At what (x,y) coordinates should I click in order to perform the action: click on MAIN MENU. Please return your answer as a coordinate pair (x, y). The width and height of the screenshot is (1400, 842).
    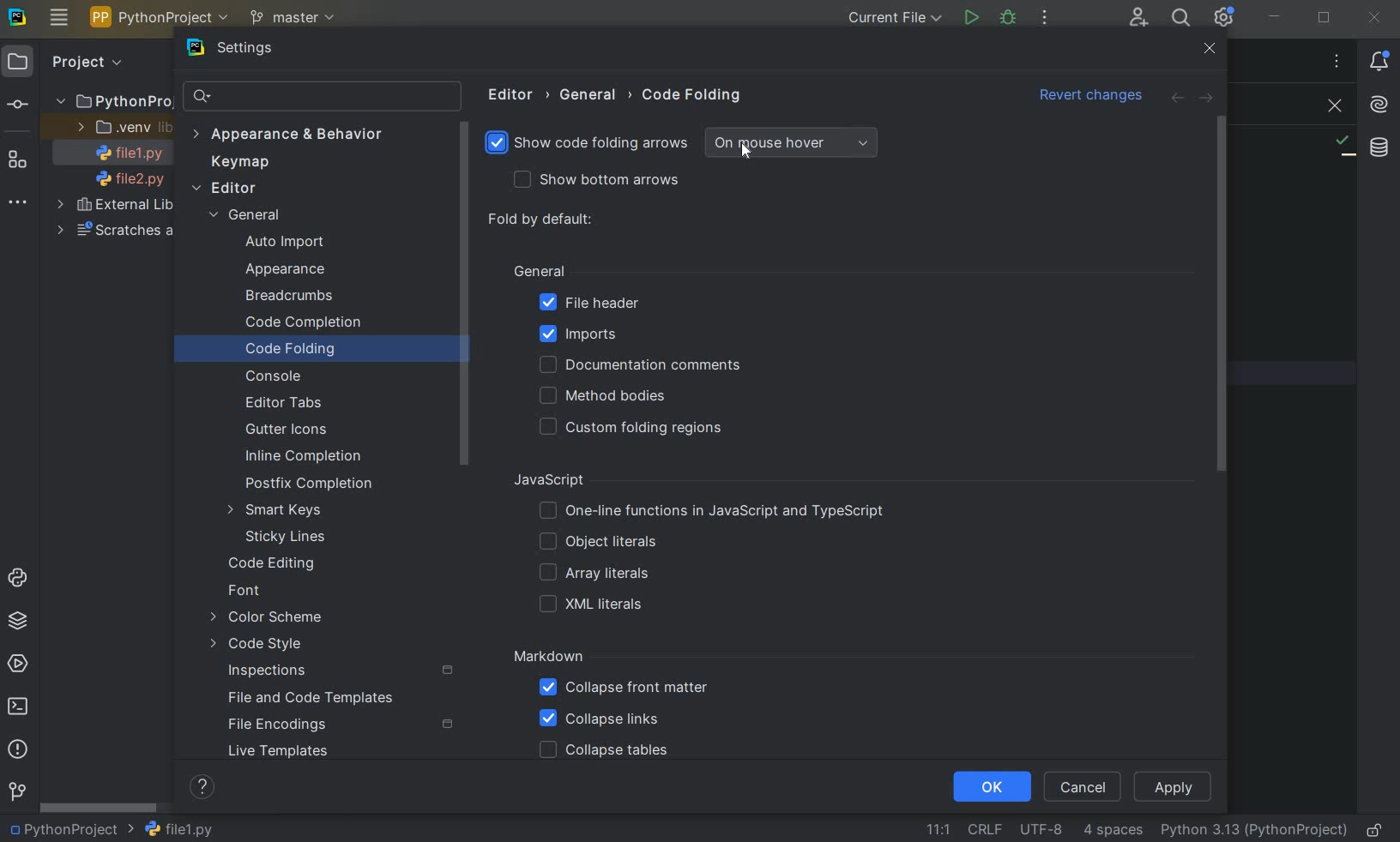
    Looking at the image, I should click on (59, 18).